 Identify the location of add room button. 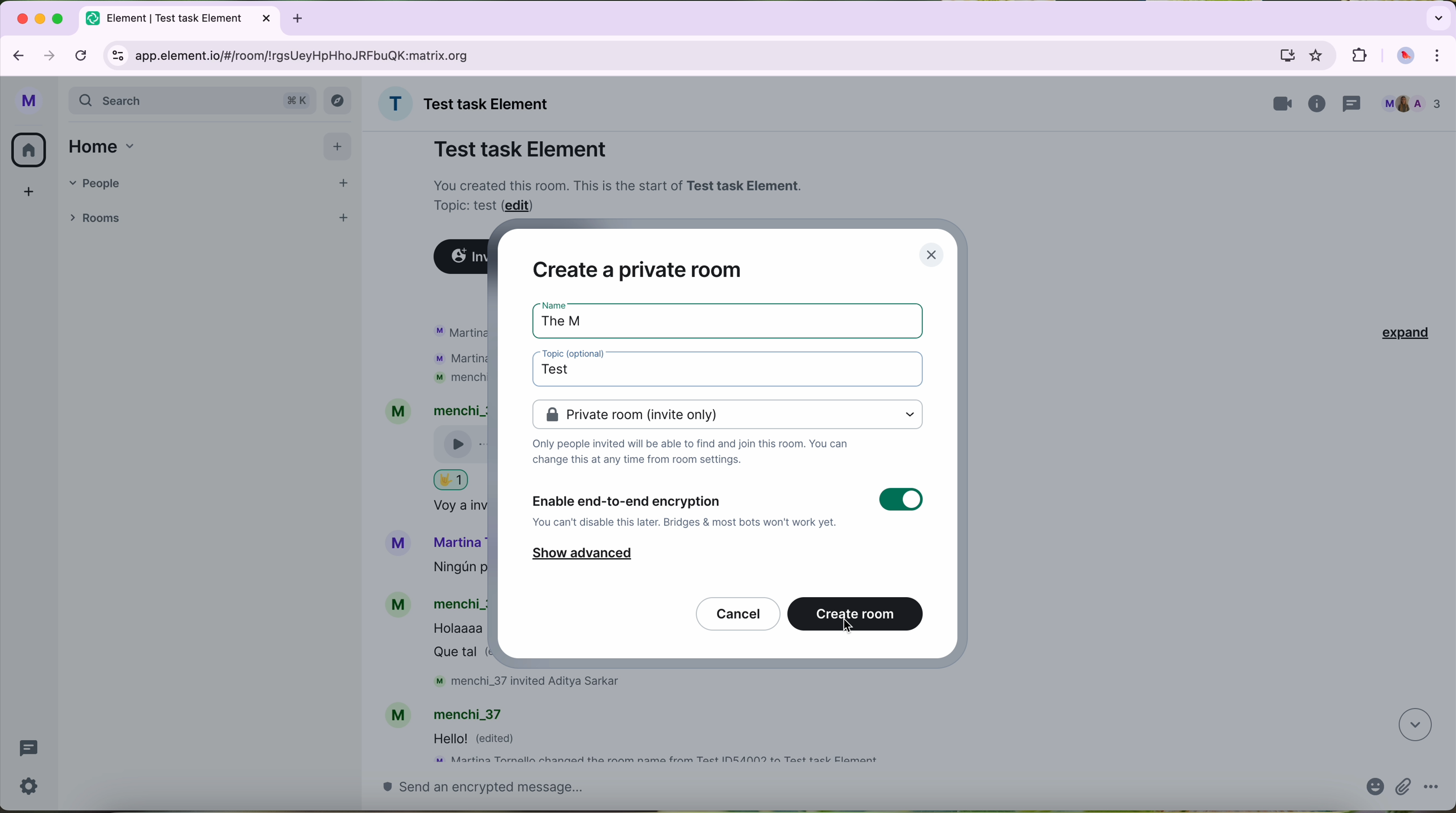
(343, 215).